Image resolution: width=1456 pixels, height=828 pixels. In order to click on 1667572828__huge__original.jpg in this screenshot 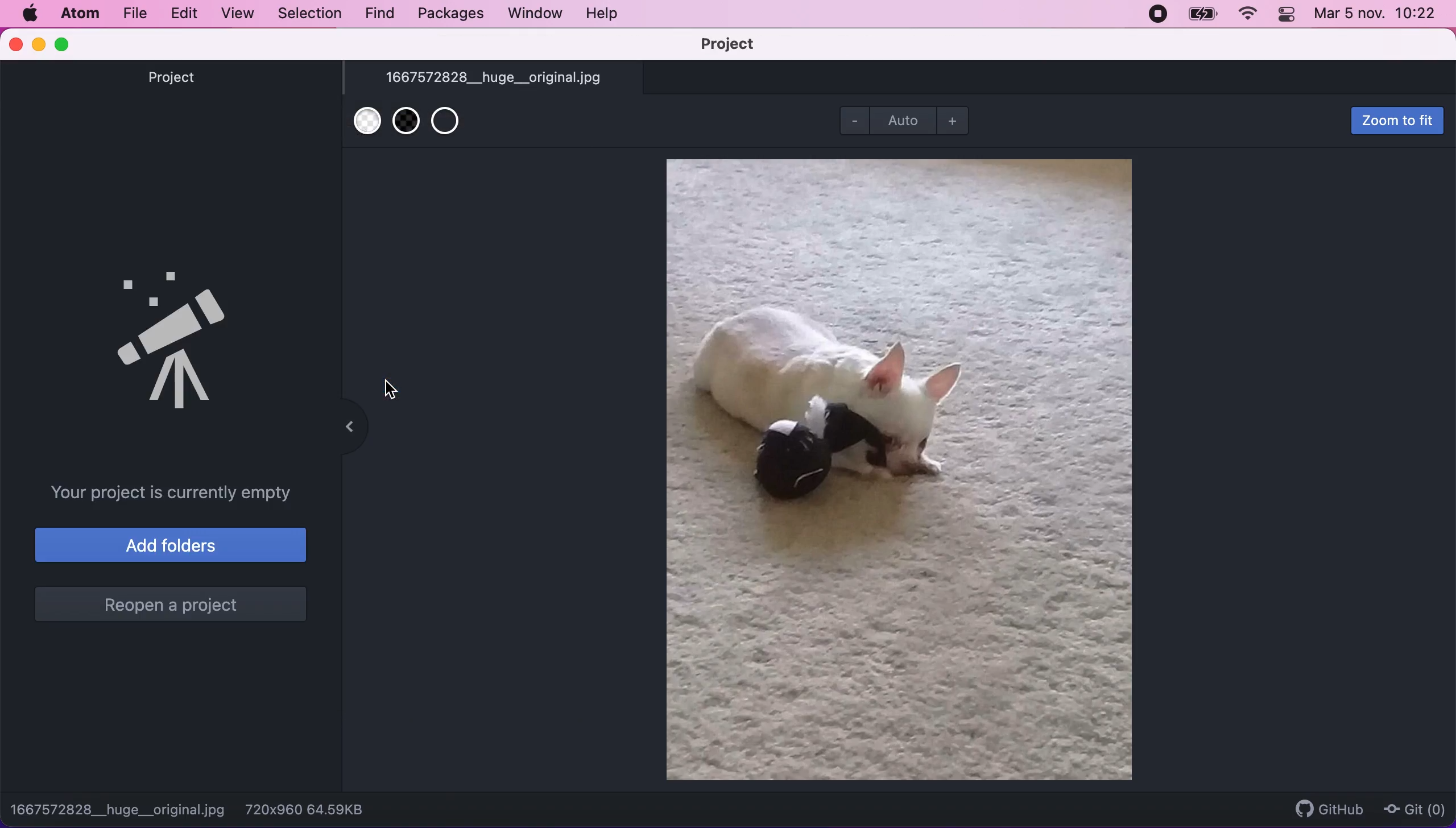, I will do `click(119, 809)`.